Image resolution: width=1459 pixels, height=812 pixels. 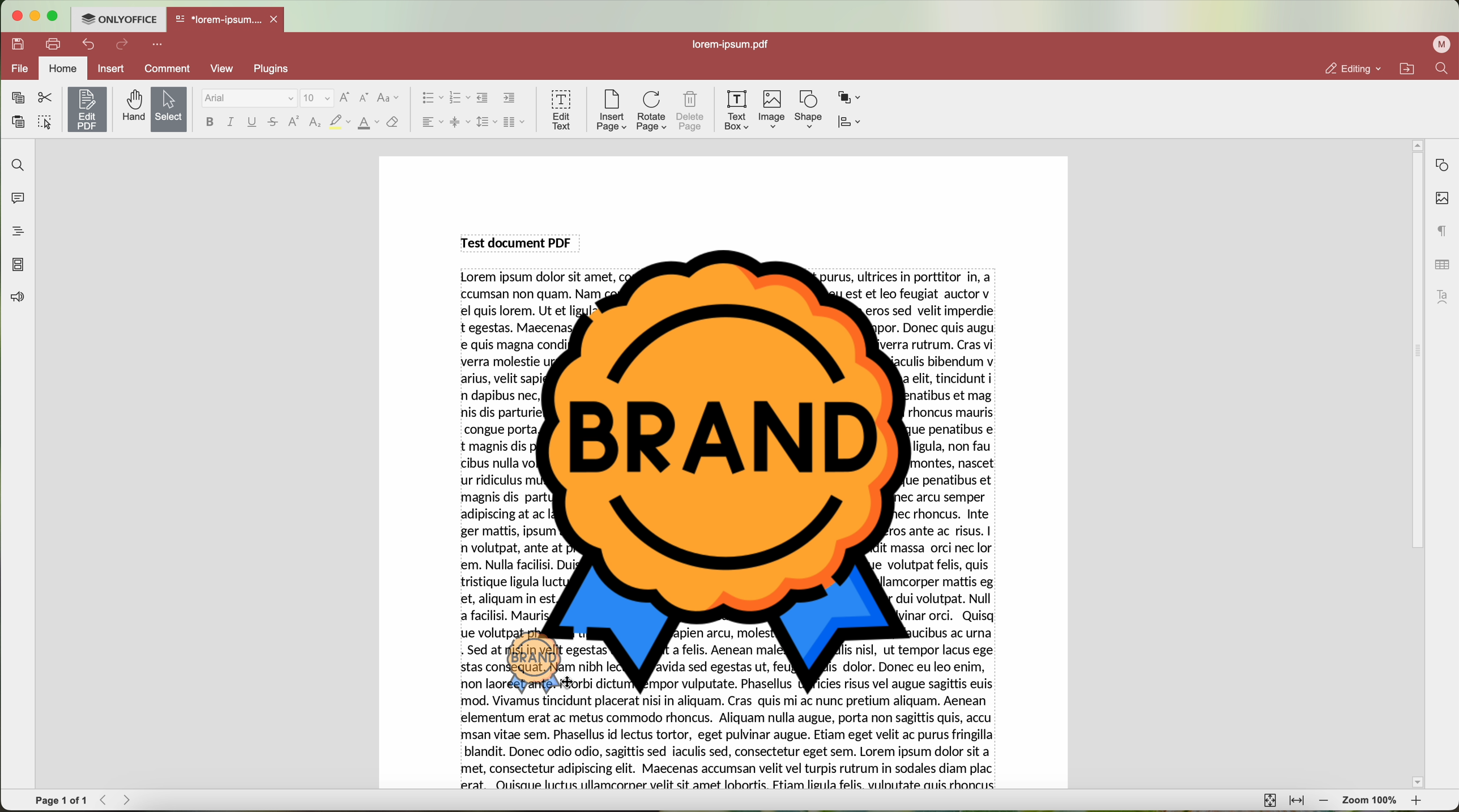 I want to click on Test document PDF, so click(x=519, y=242).